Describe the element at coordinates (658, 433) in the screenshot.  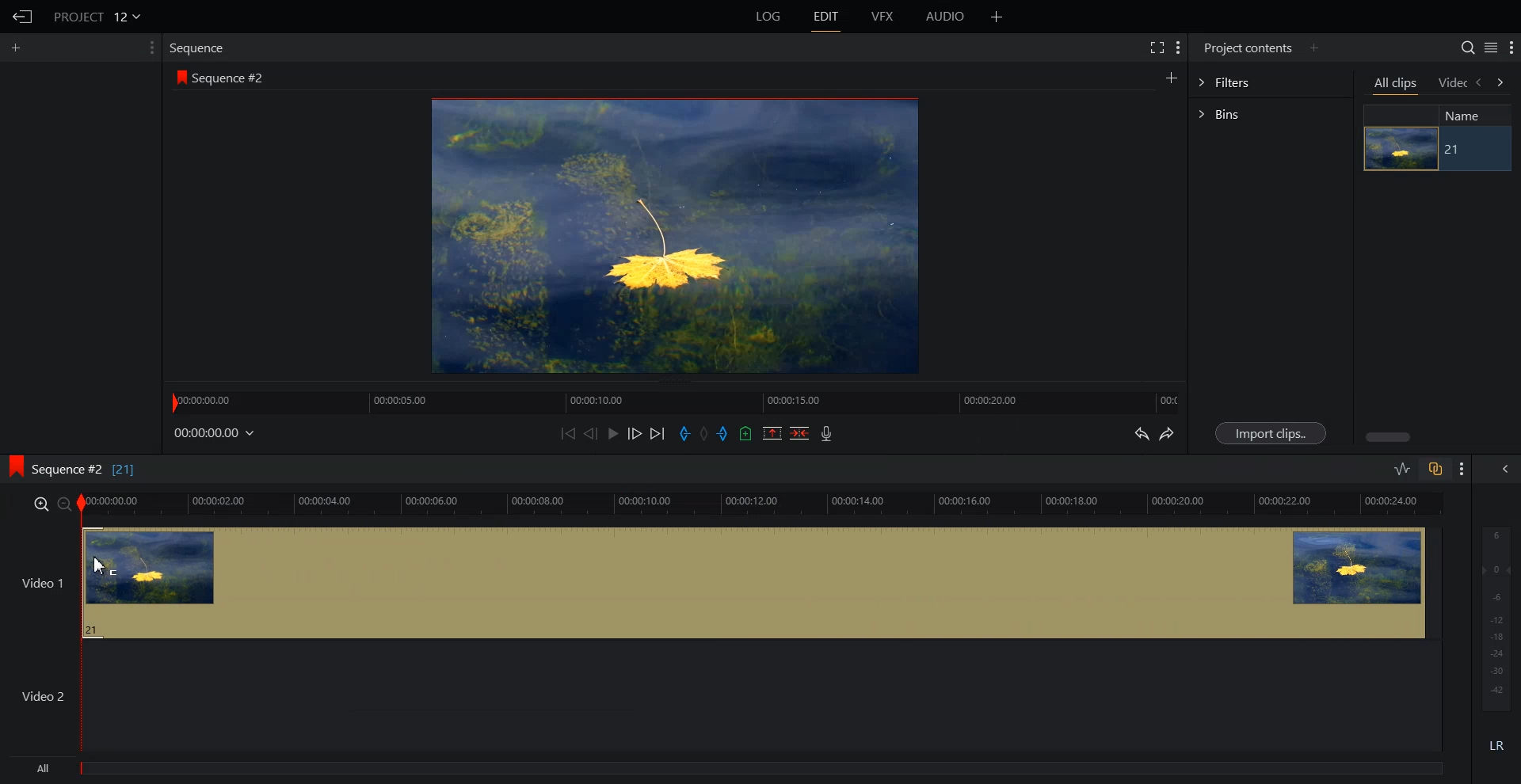
I see `Move Forward` at that location.